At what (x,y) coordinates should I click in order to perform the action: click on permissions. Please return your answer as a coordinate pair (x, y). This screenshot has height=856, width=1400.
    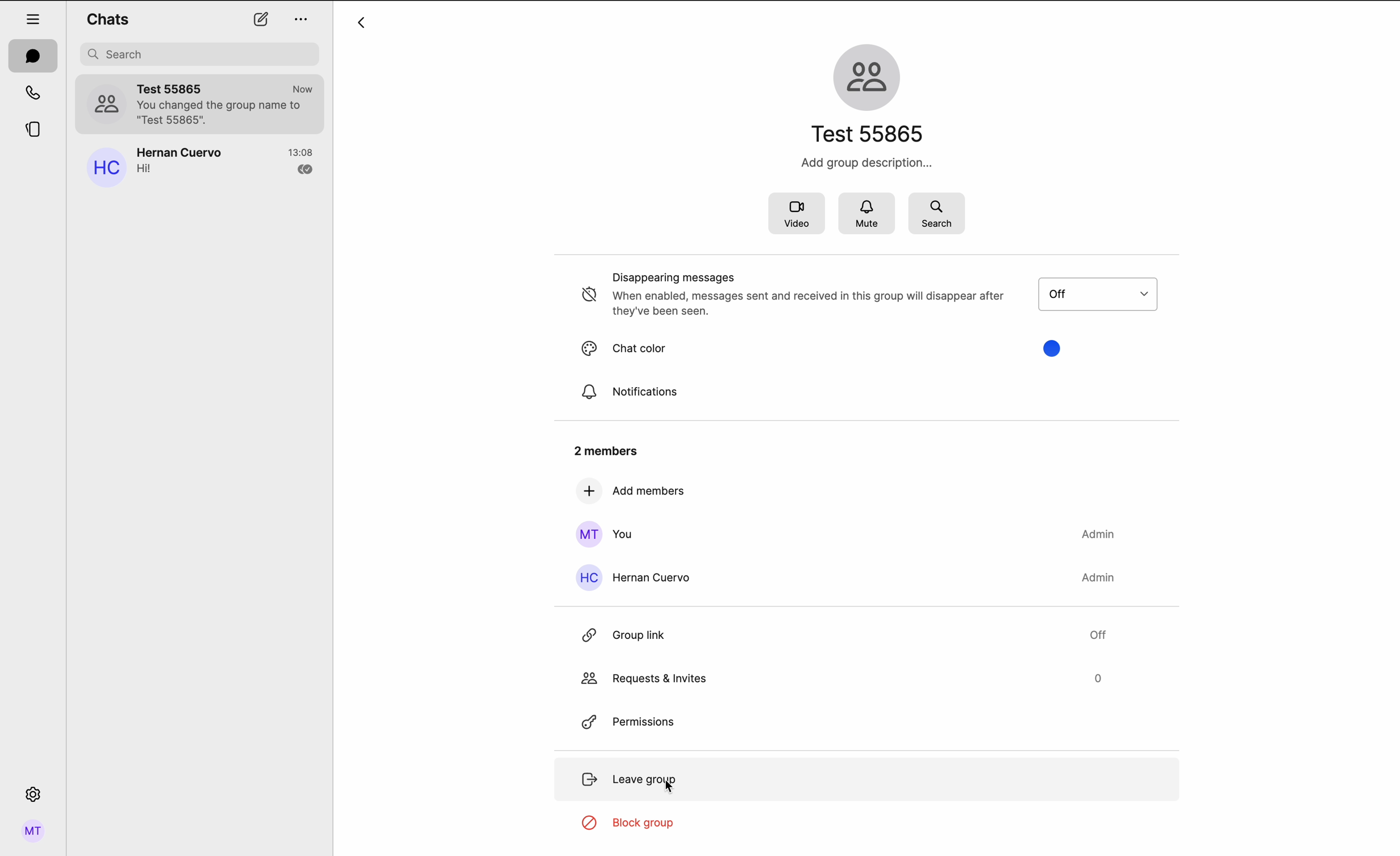
    Looking at the image, I should click on (631, 720).